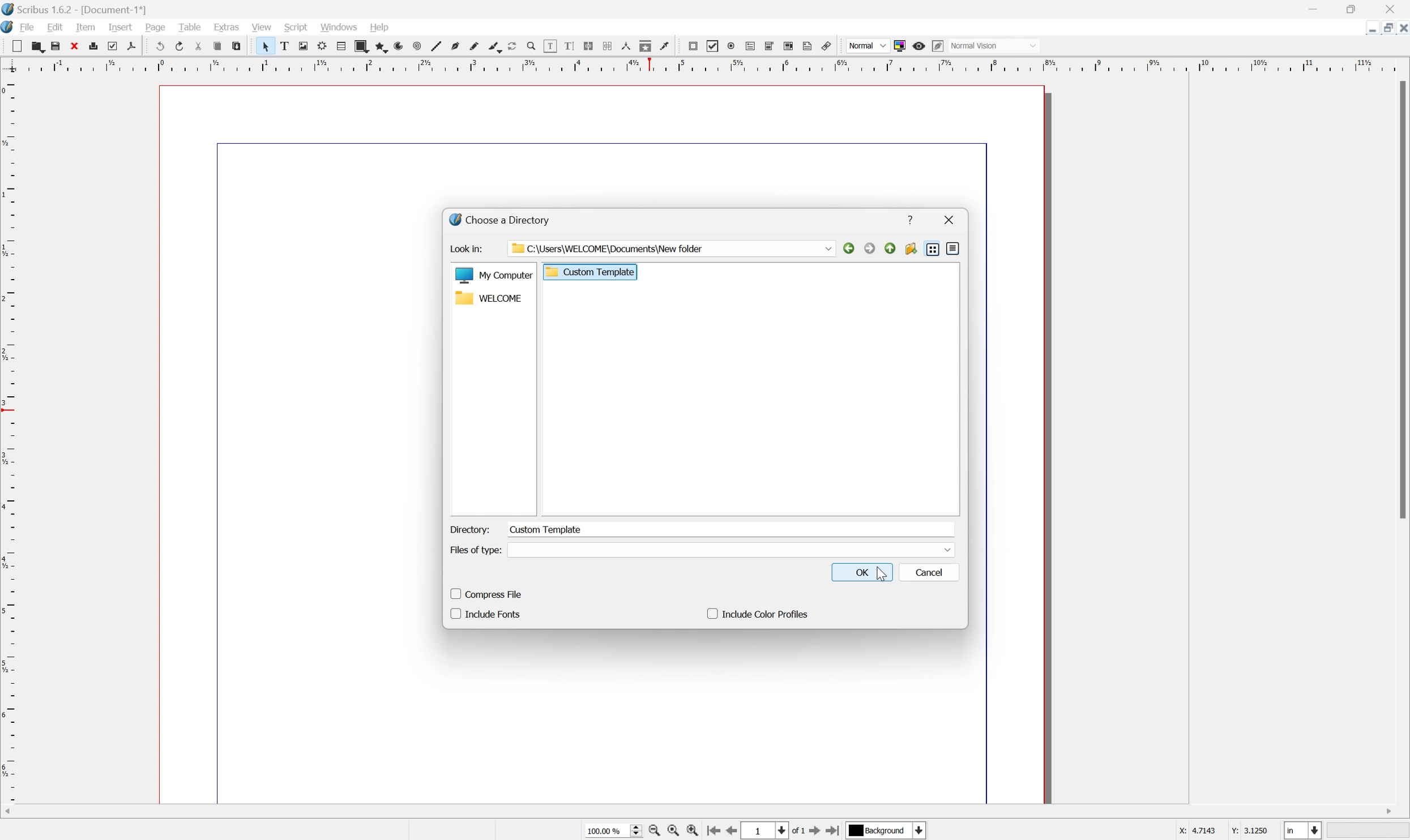 The image size is (1410, 840). I want to click on custom template, so click(591, 272).